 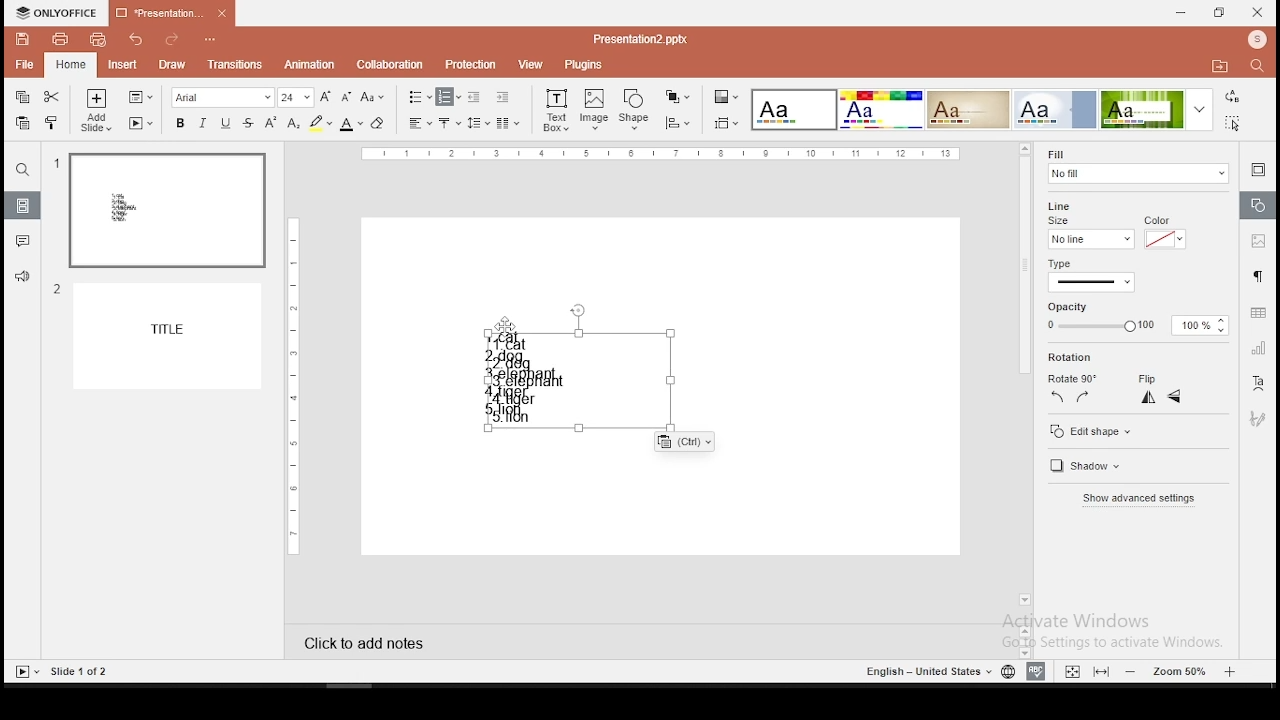 I want to click on slide 1, so click(x=166, y=211).